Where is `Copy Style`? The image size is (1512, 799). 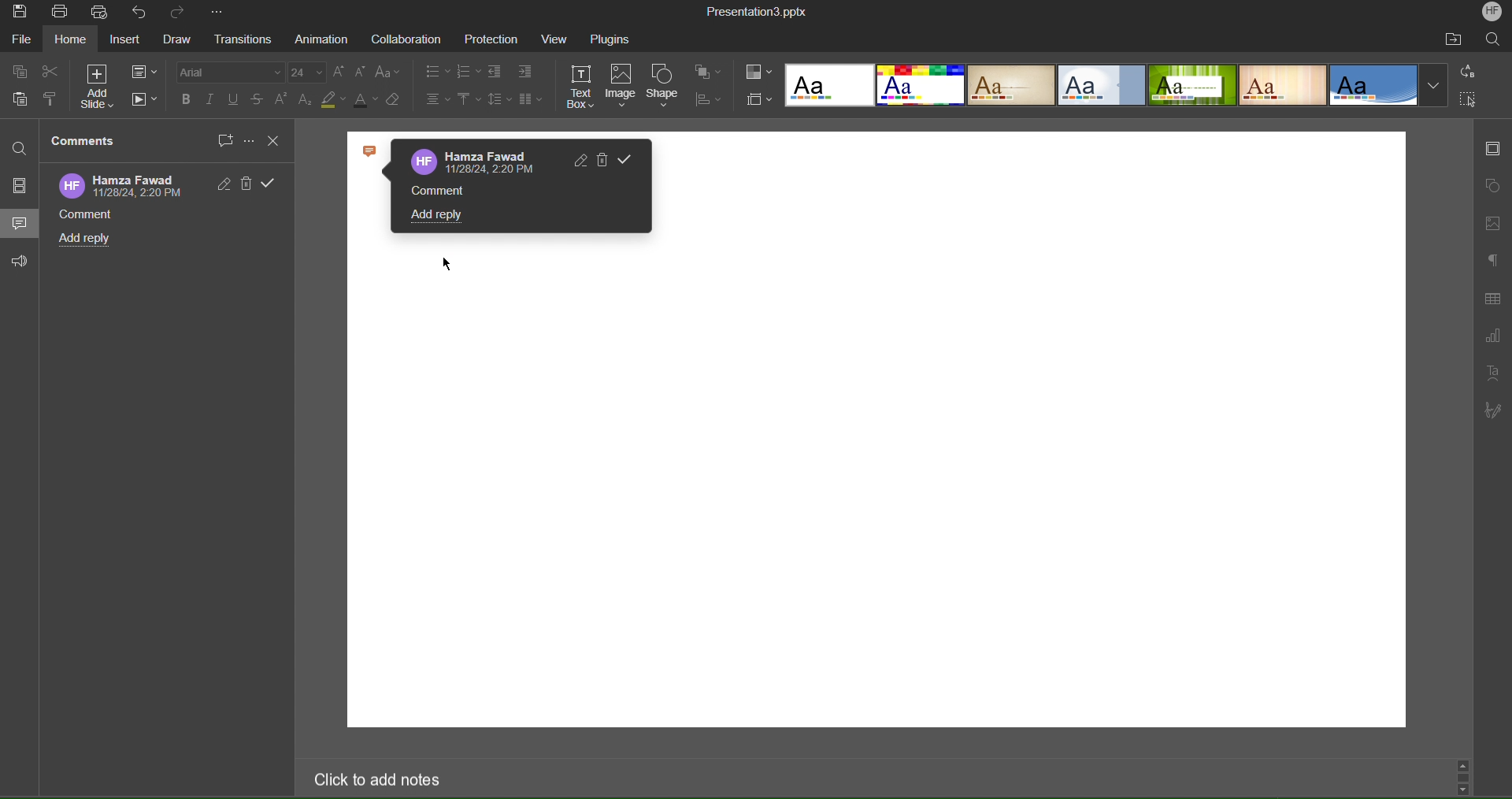 Copy Style is located at coordinates (49, 99).